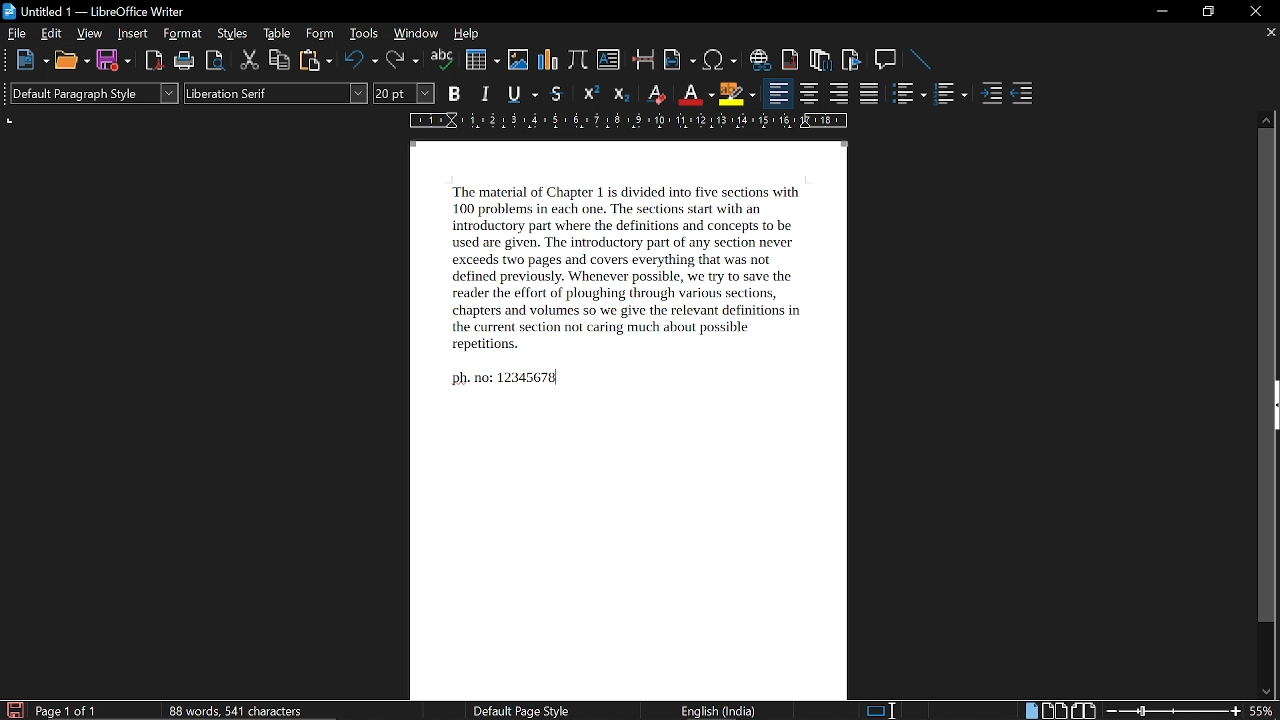  What do you see at coordinates (624, 123) in the screenshot?
I see `scale` at bounding box center [624, 123].